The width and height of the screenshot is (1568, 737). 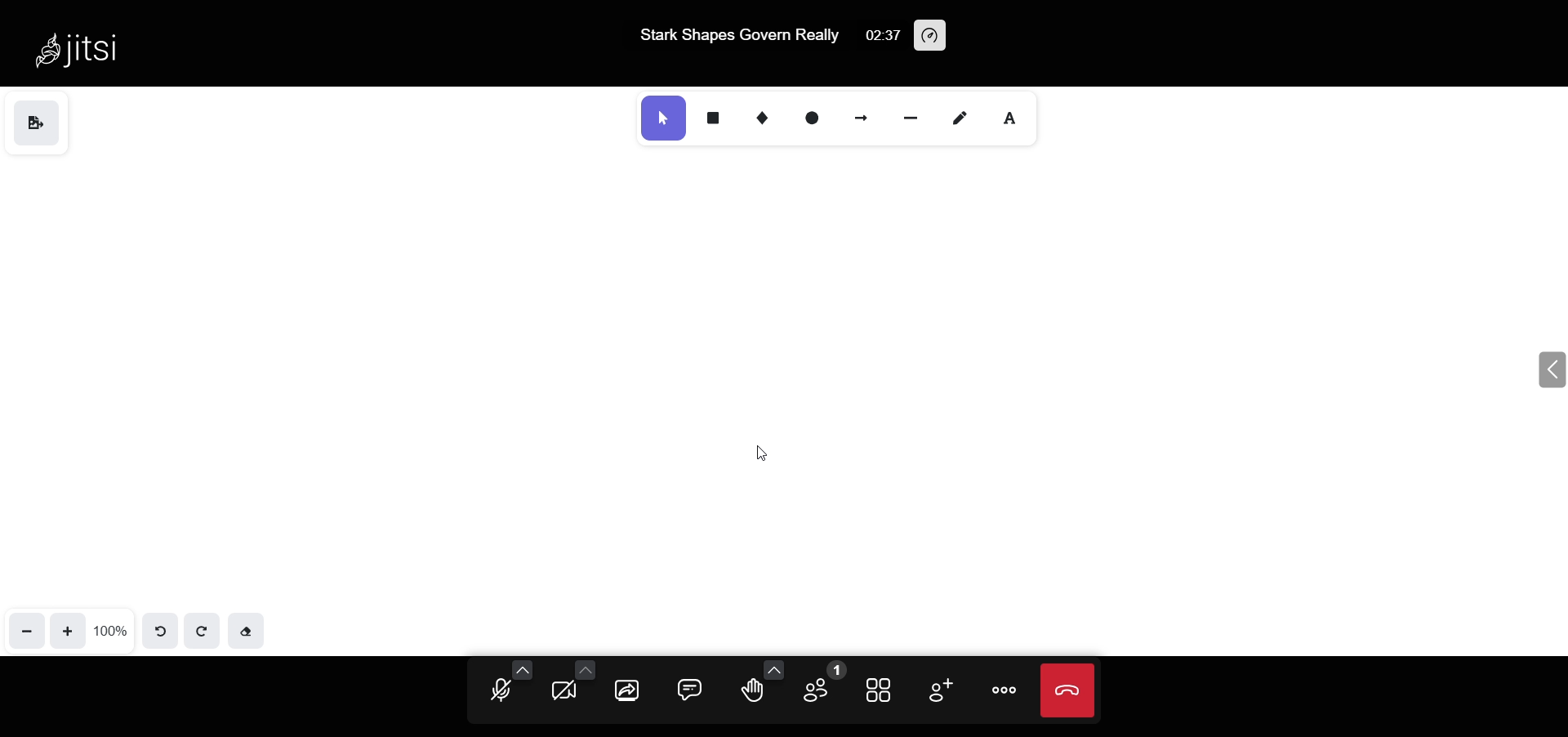 I want to click on invite people, so click(x=936, y=689).